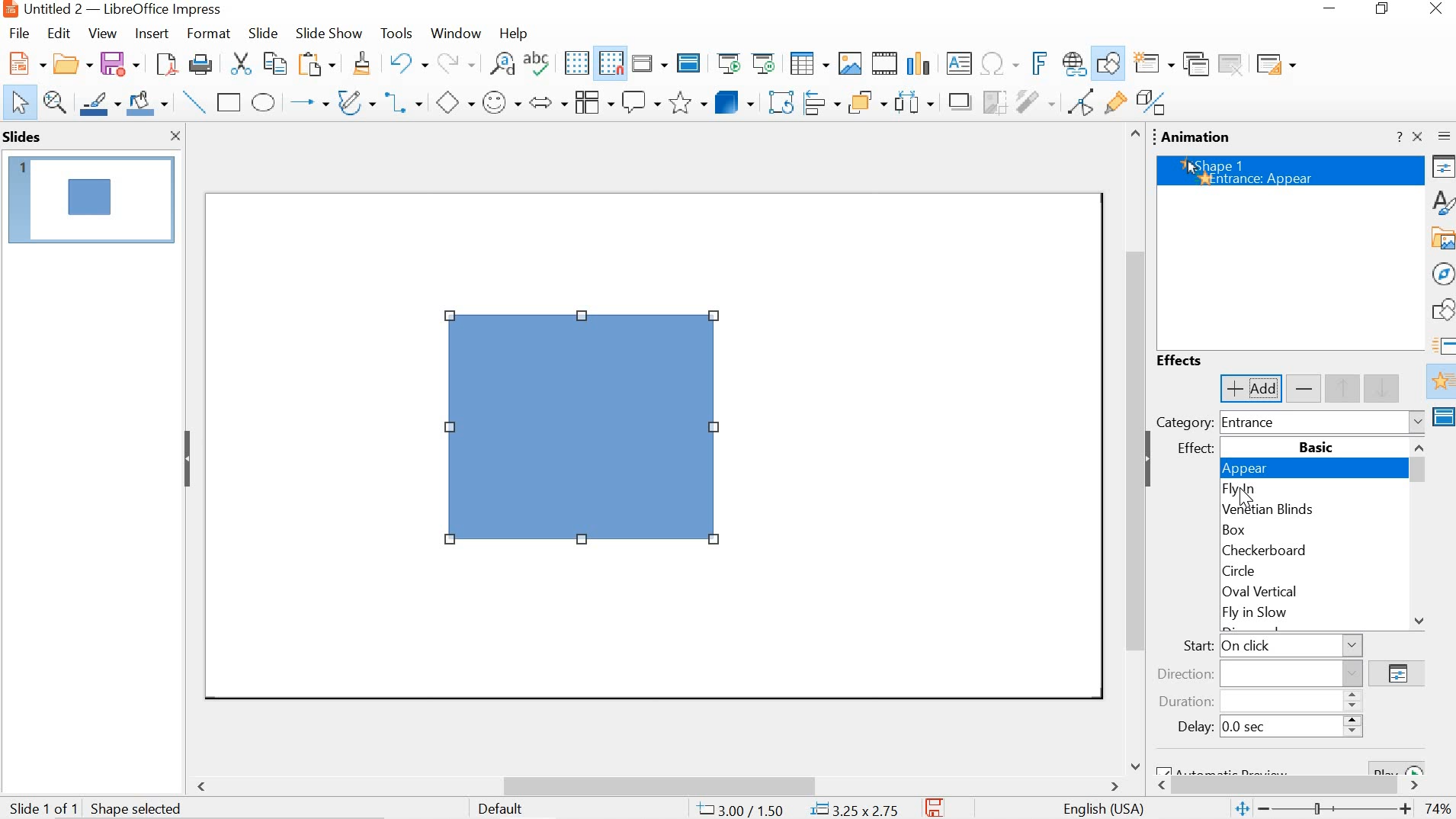 The height and width of the screenshot is (819, 1456). Describe the element at coordinates (1075, 61) in the screenshot. I see `insert hyprlink` at that location.